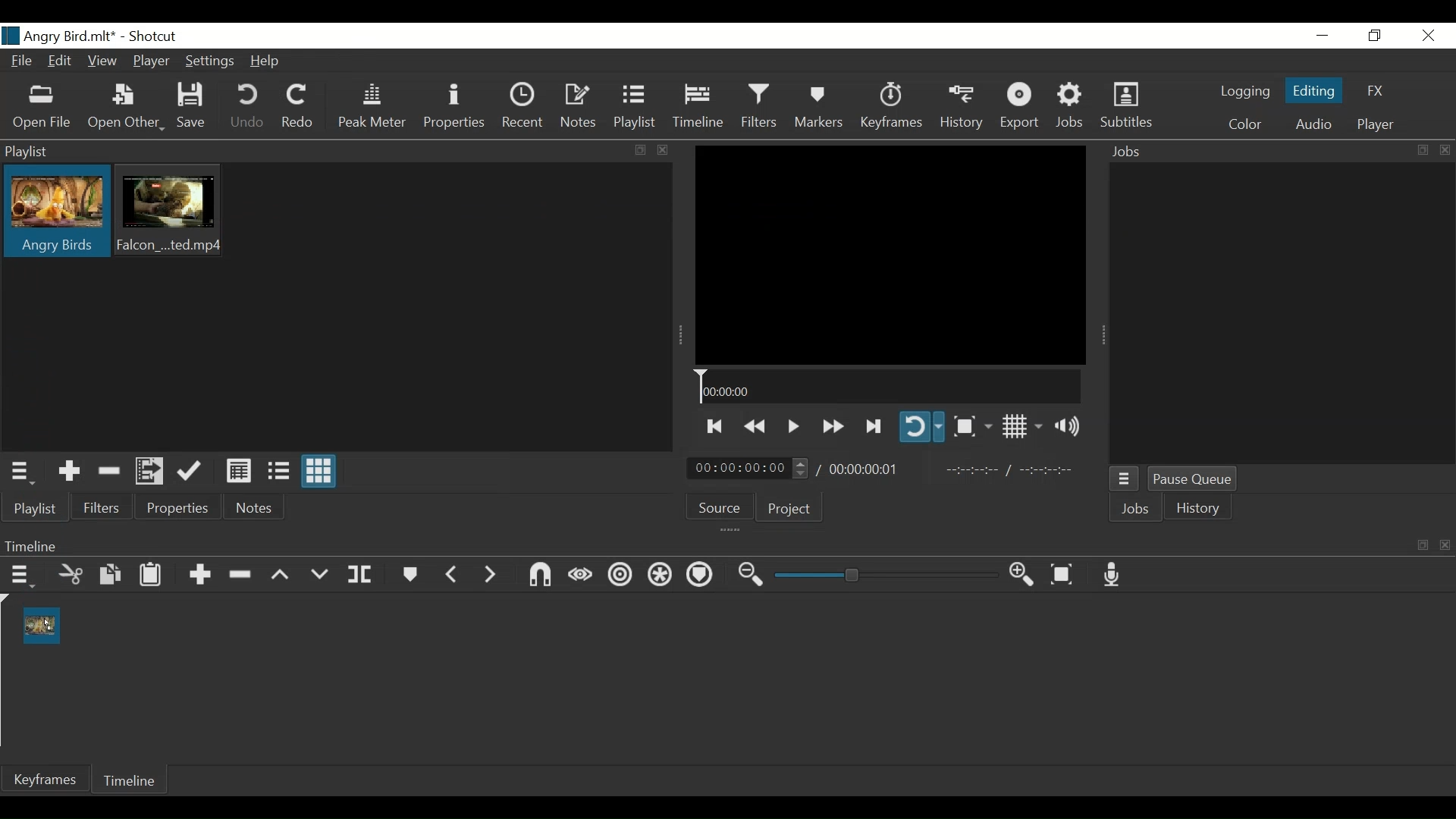 Image resolution: width=1456 pixels, height=819 pixels. What do you see at coordinates (242, 573) in the screenshot?
I see `Ripple Delete` at bounding box center [242, 573].